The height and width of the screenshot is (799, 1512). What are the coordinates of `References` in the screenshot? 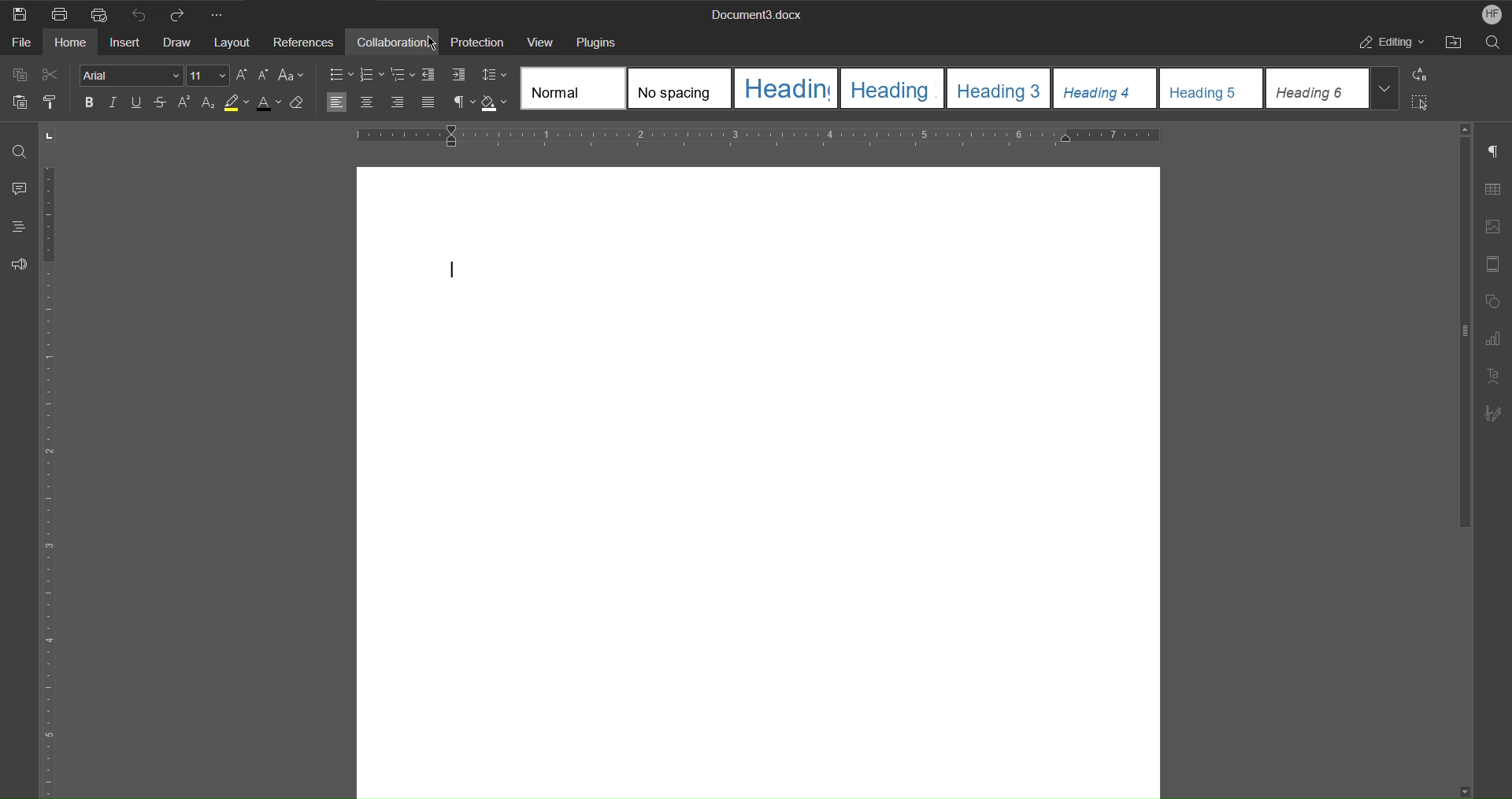 It's located at (306, 42).